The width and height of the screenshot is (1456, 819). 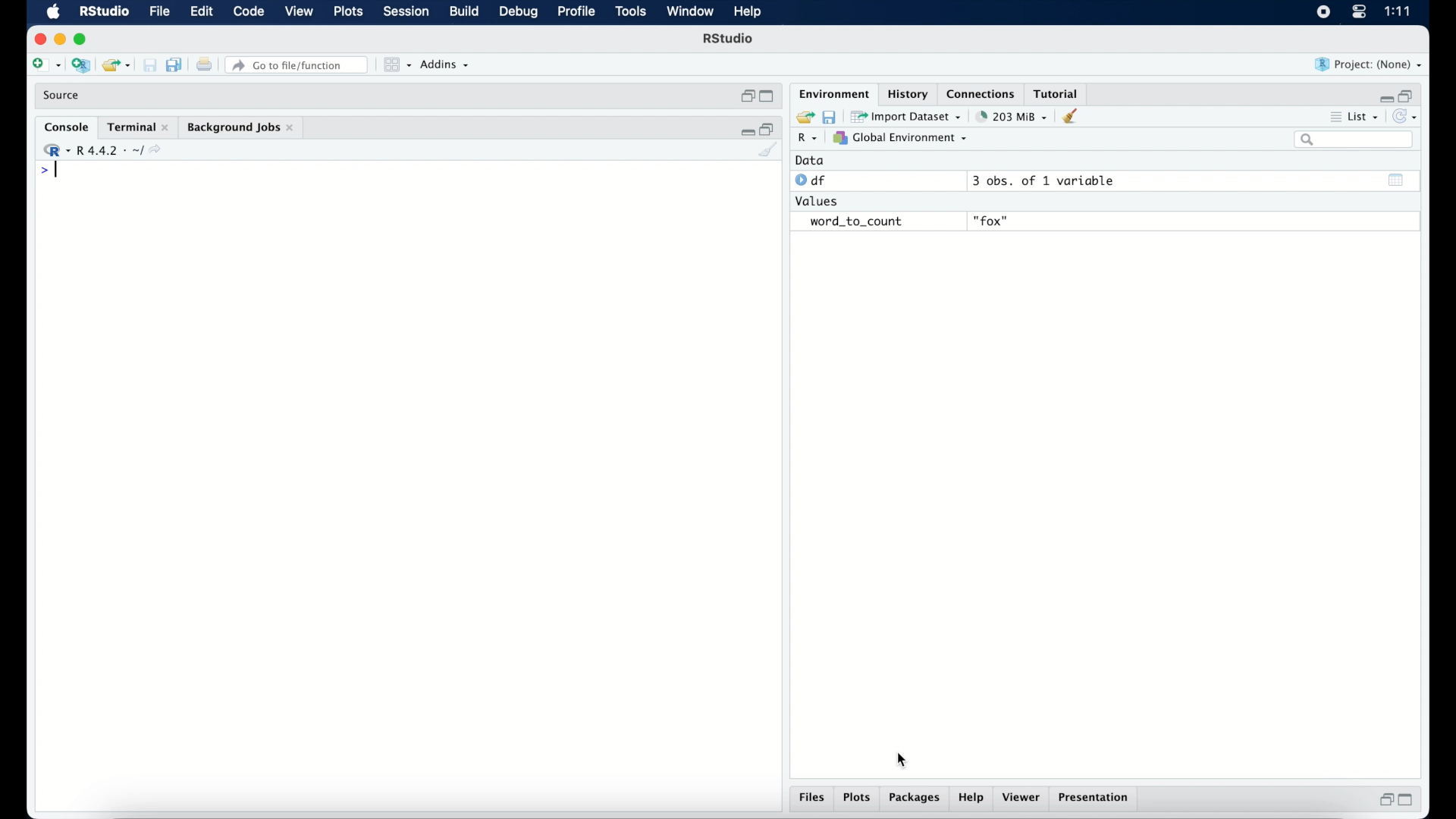 I want to click on plots, so click(x=857, y=799).